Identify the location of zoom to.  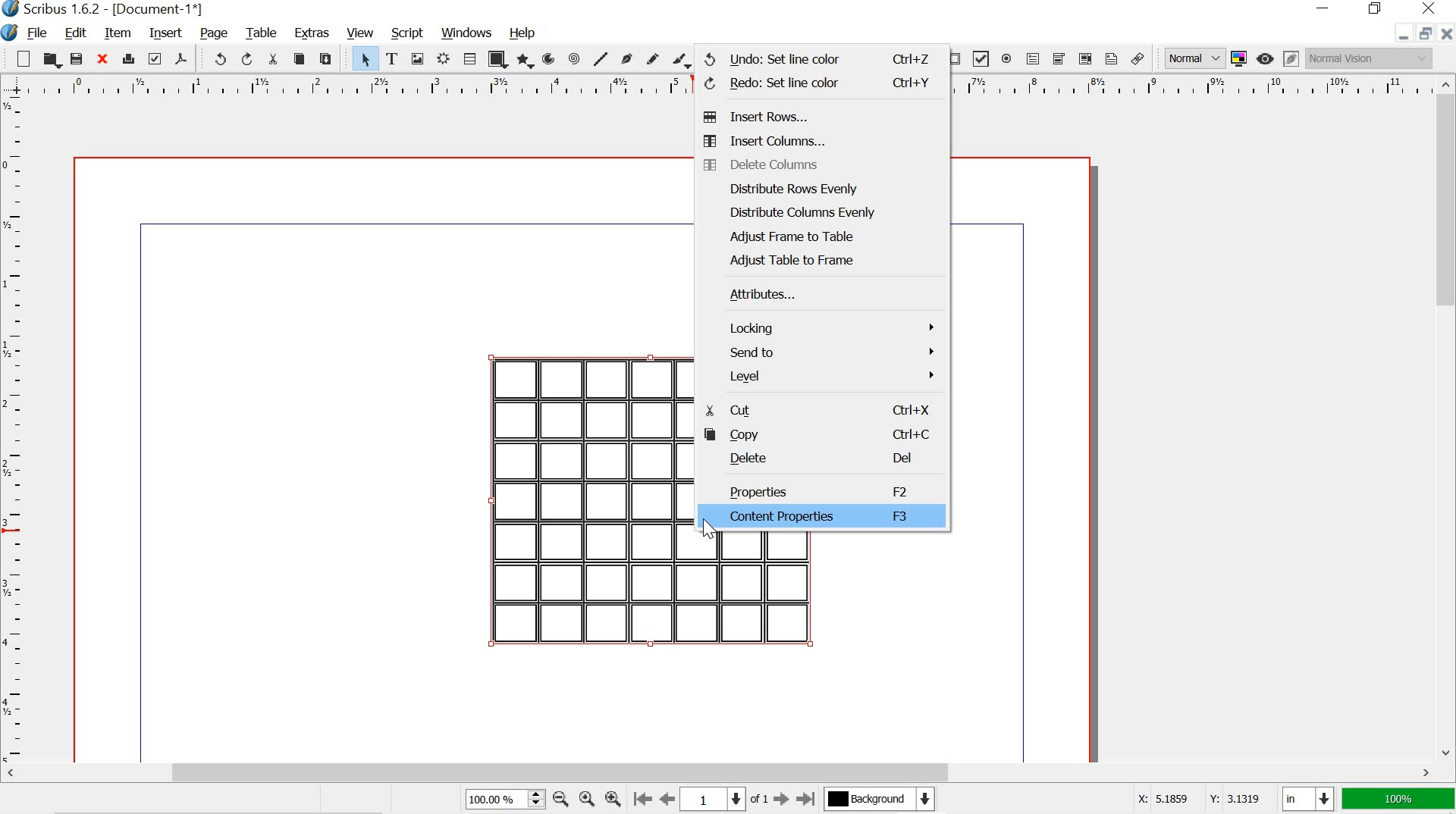
(585, 798).